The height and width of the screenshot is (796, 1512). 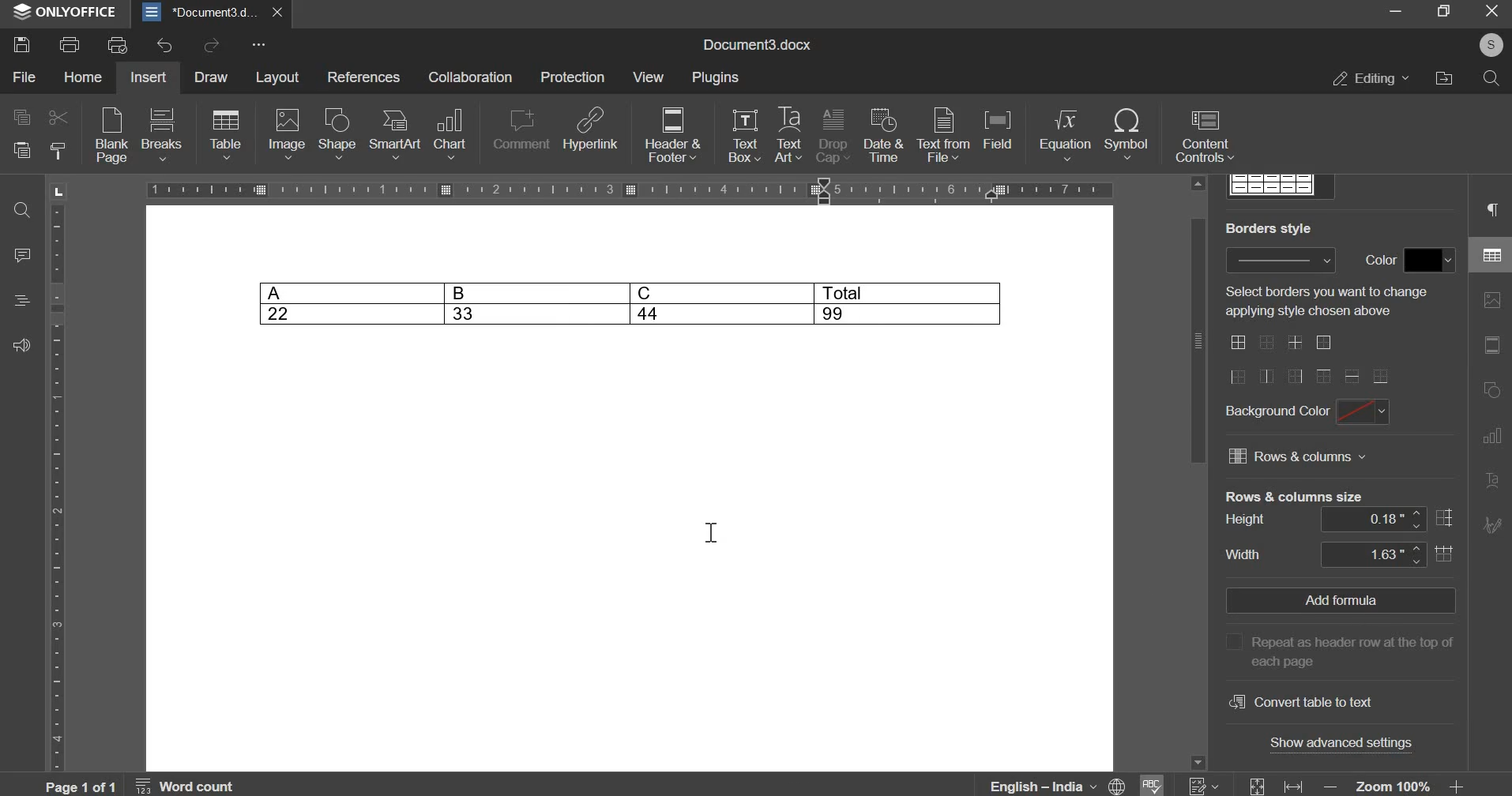 I want to click on *Document3.docx, so click(x=198, y=13).